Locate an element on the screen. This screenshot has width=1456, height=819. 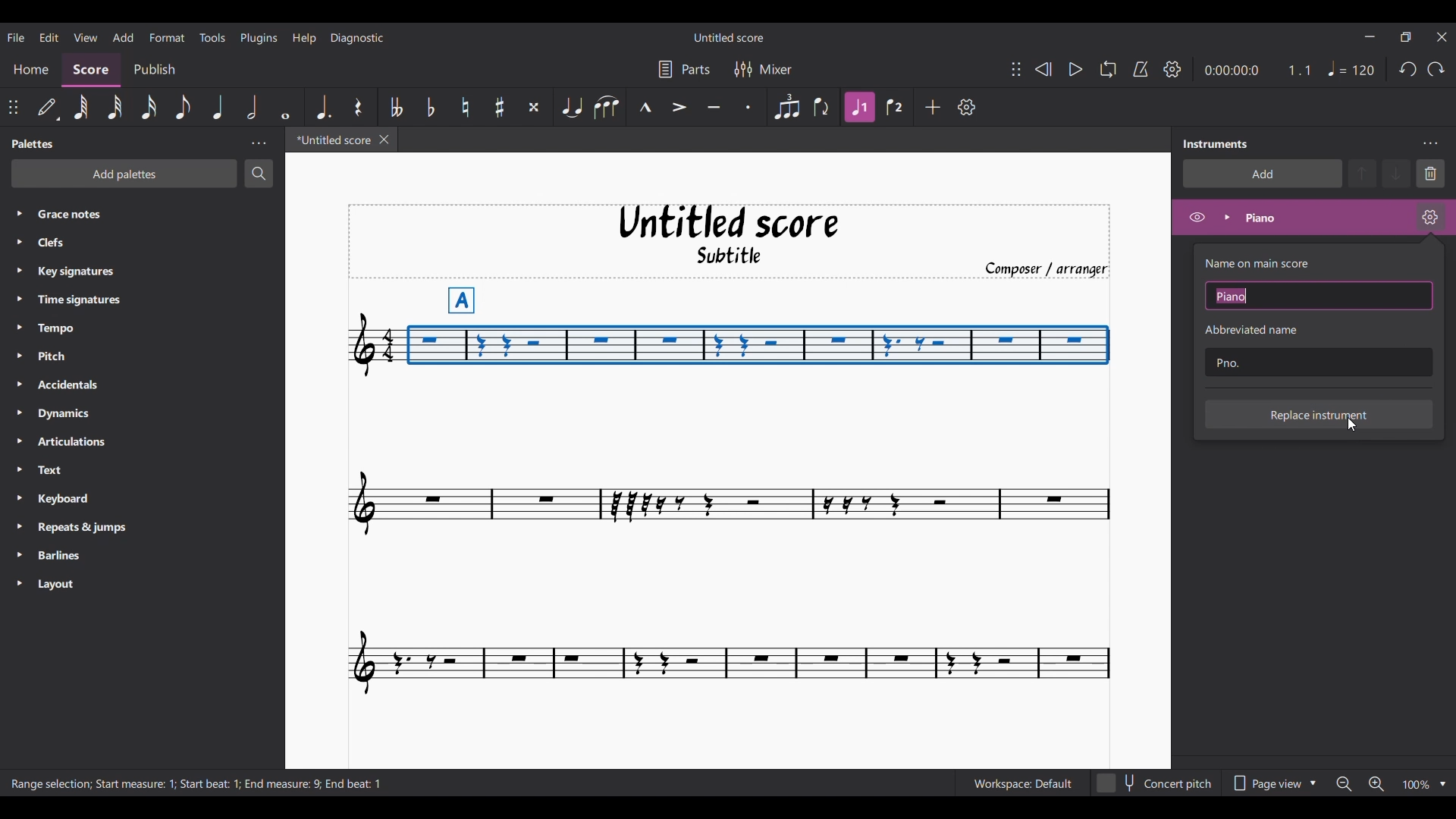
Minimize is located at coordinates (1369, 36).